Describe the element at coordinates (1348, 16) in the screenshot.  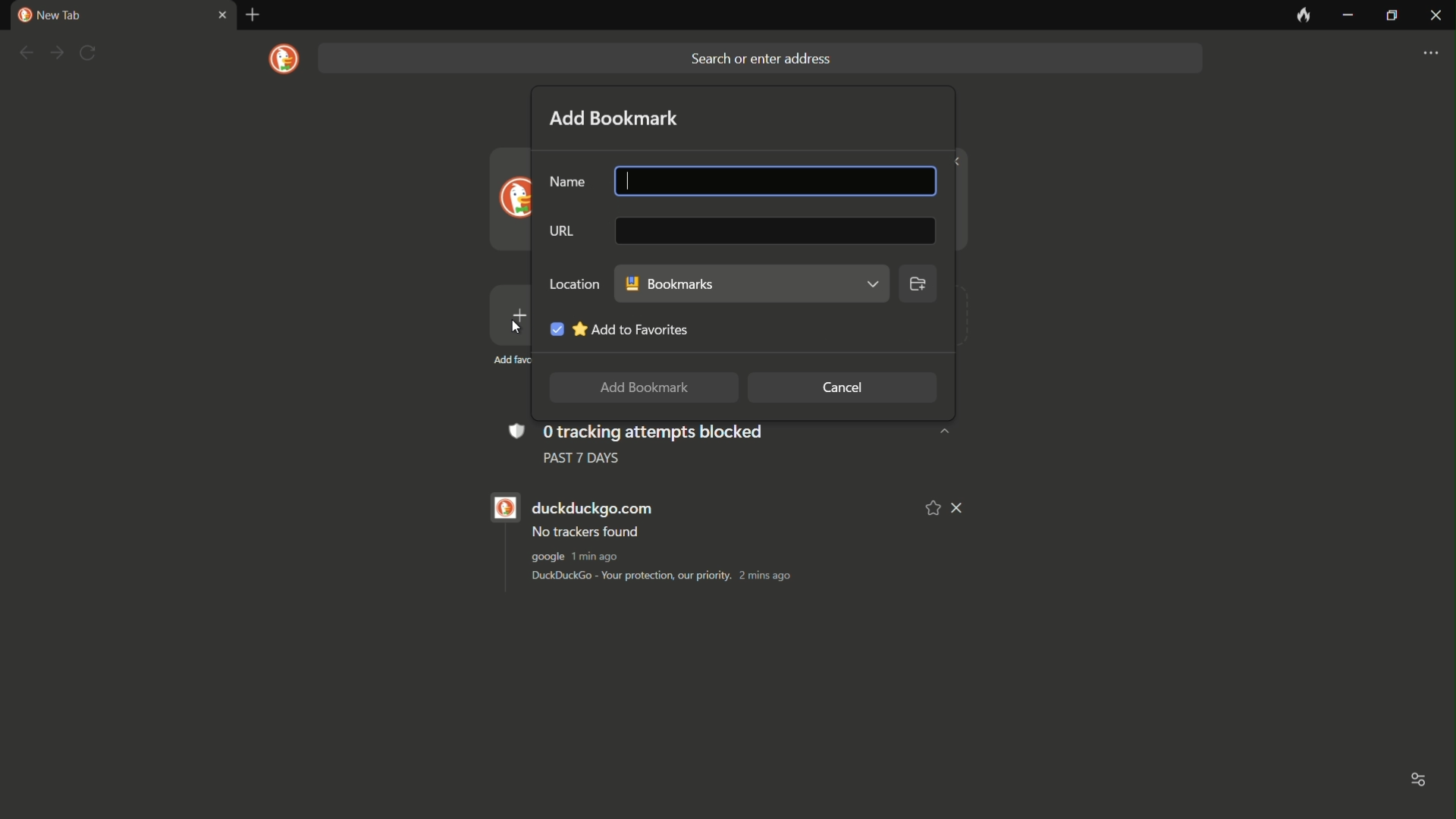
I see `minimize` at that location.